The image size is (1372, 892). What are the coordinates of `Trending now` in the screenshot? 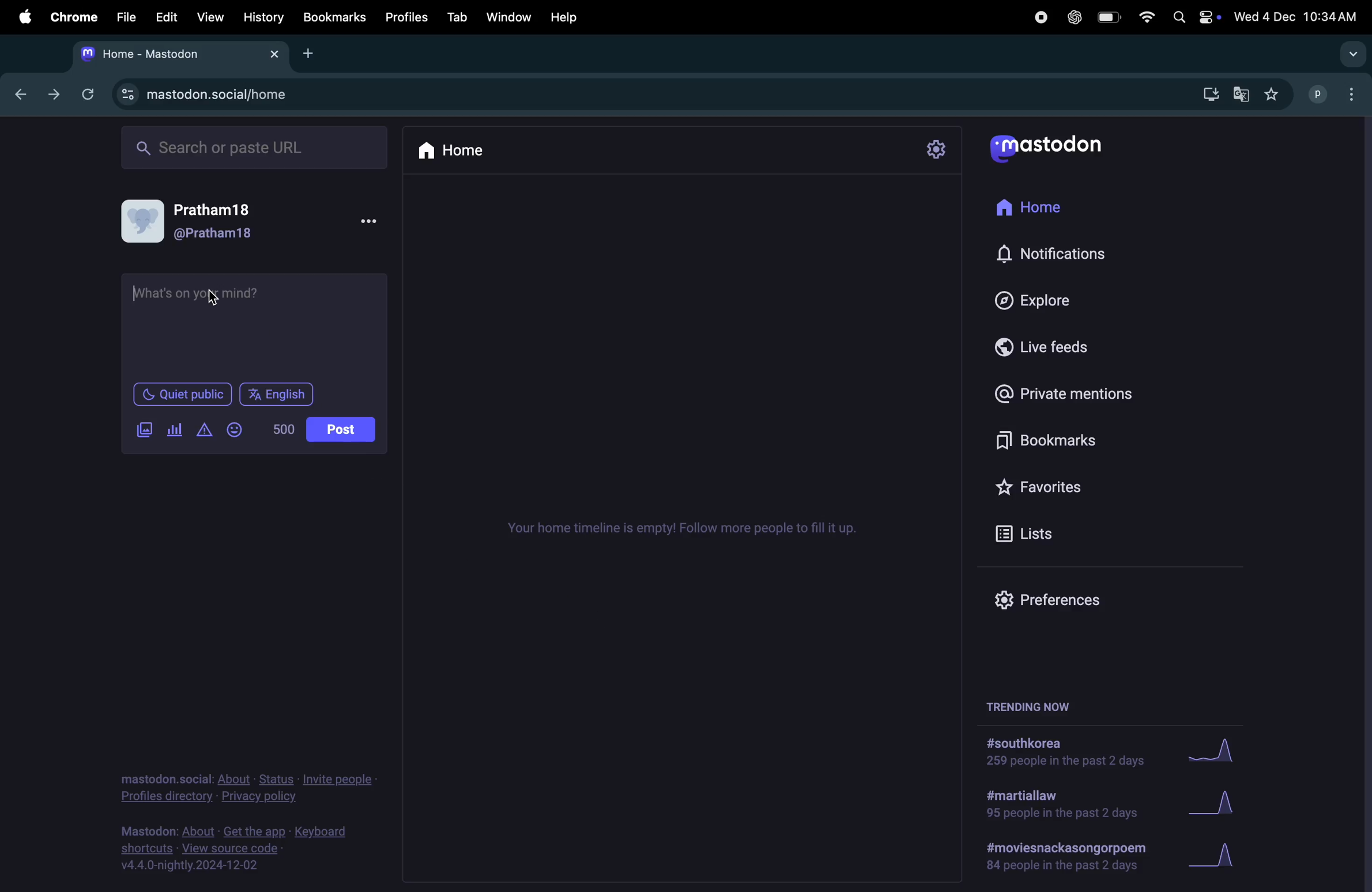 It's located at (1035, 703).